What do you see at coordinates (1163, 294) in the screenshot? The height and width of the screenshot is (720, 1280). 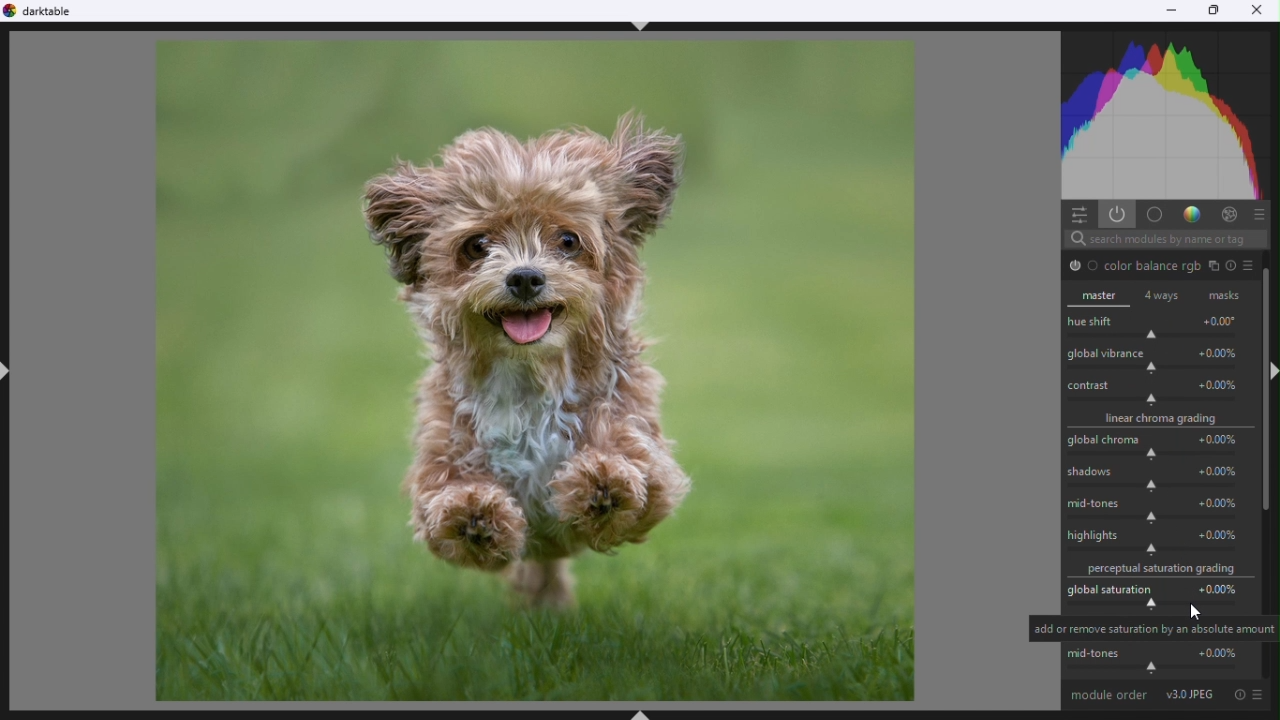 I see `4 ways` at bounding box center [1163, 294].